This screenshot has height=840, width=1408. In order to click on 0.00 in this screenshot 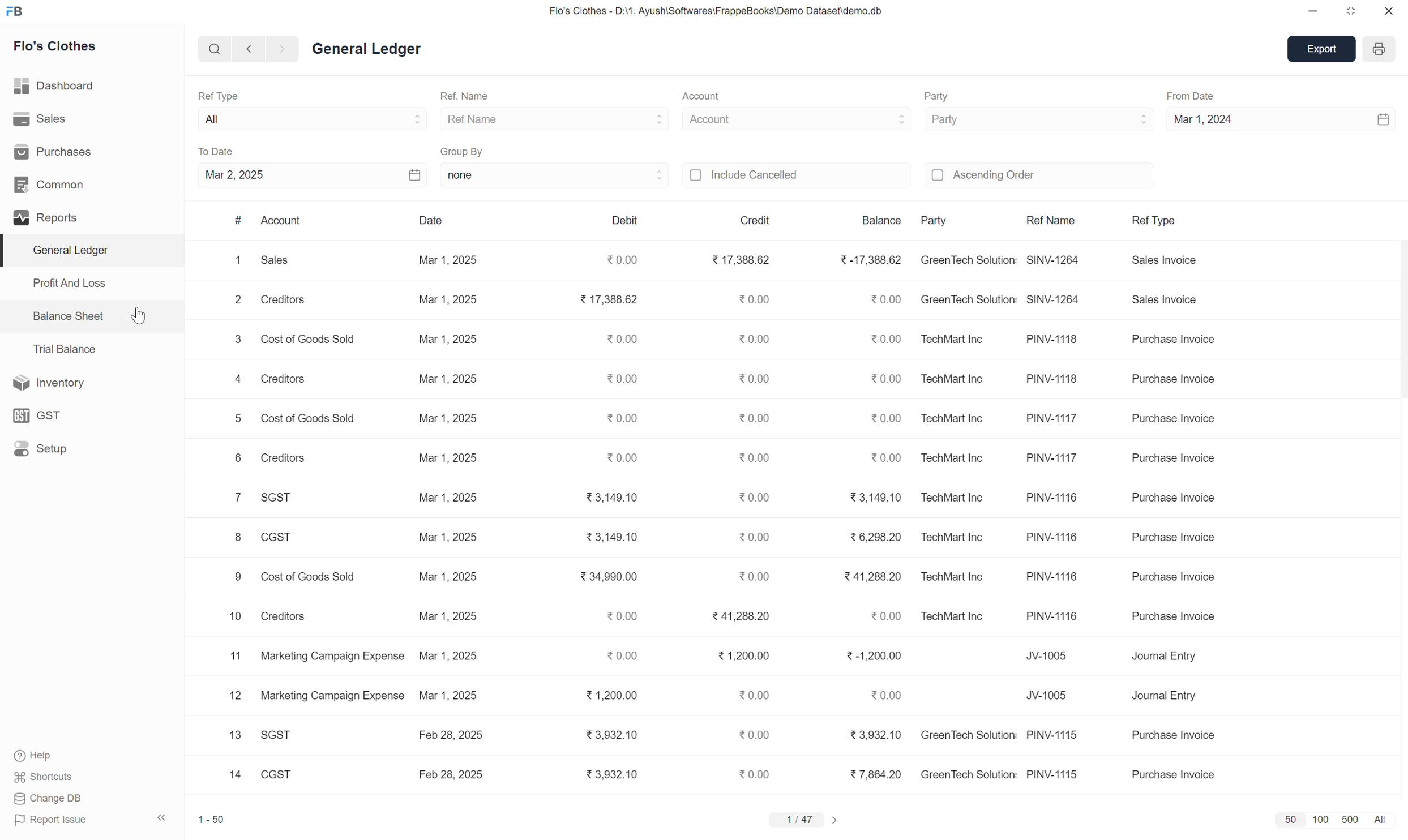, I will do `click(878, 299)`.